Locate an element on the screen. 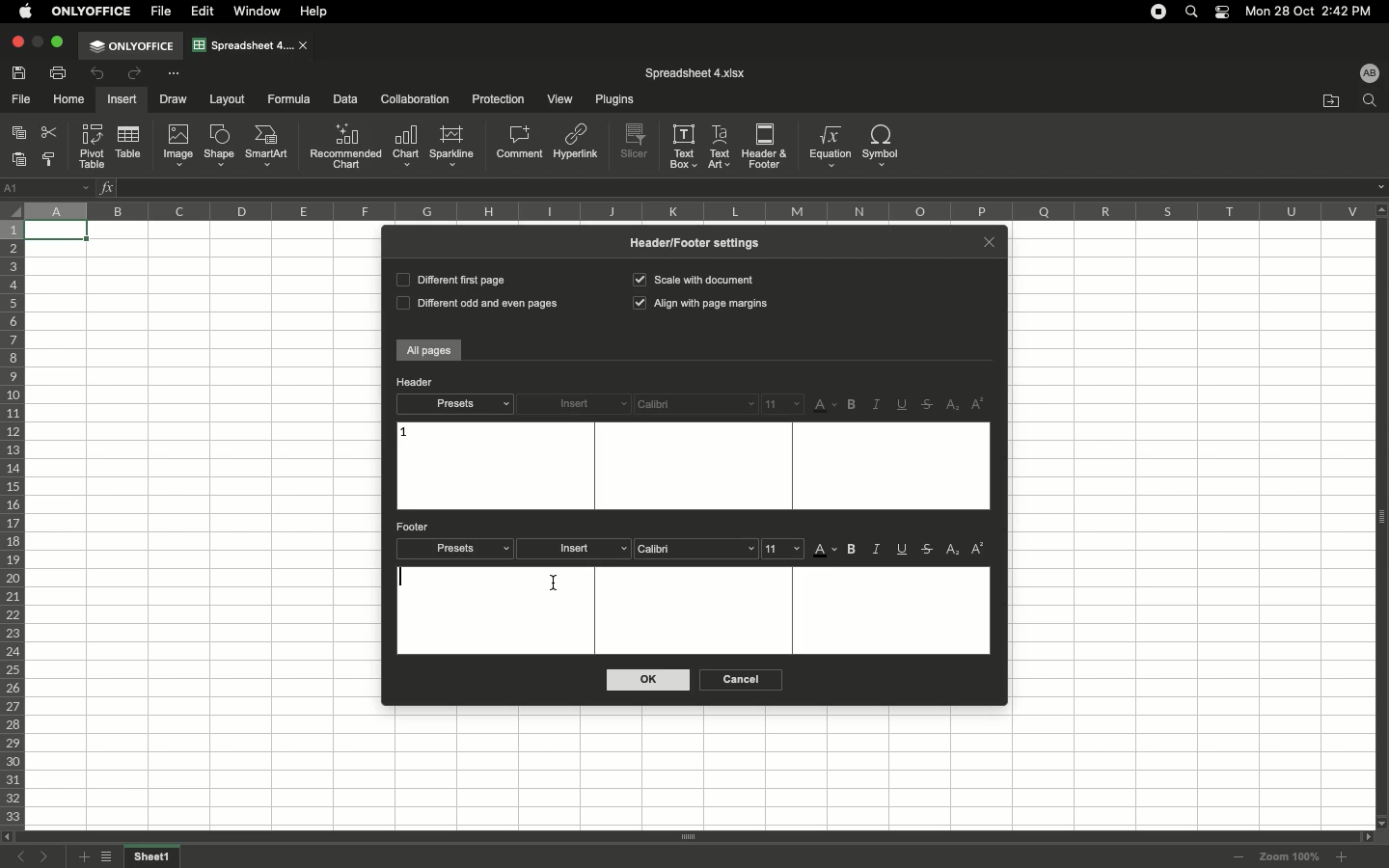  Notification is located at coordinates (1224, 13).